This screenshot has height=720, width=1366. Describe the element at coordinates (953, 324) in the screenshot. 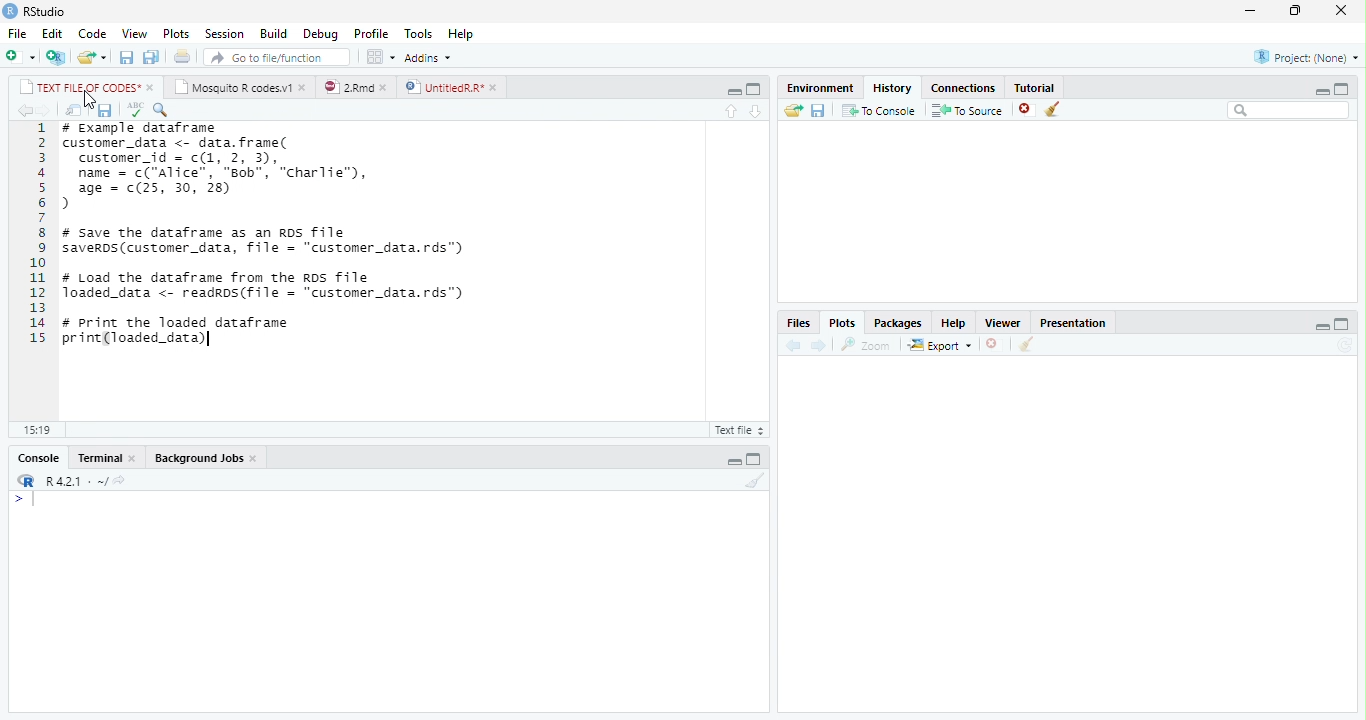

I see `Help` at that location.